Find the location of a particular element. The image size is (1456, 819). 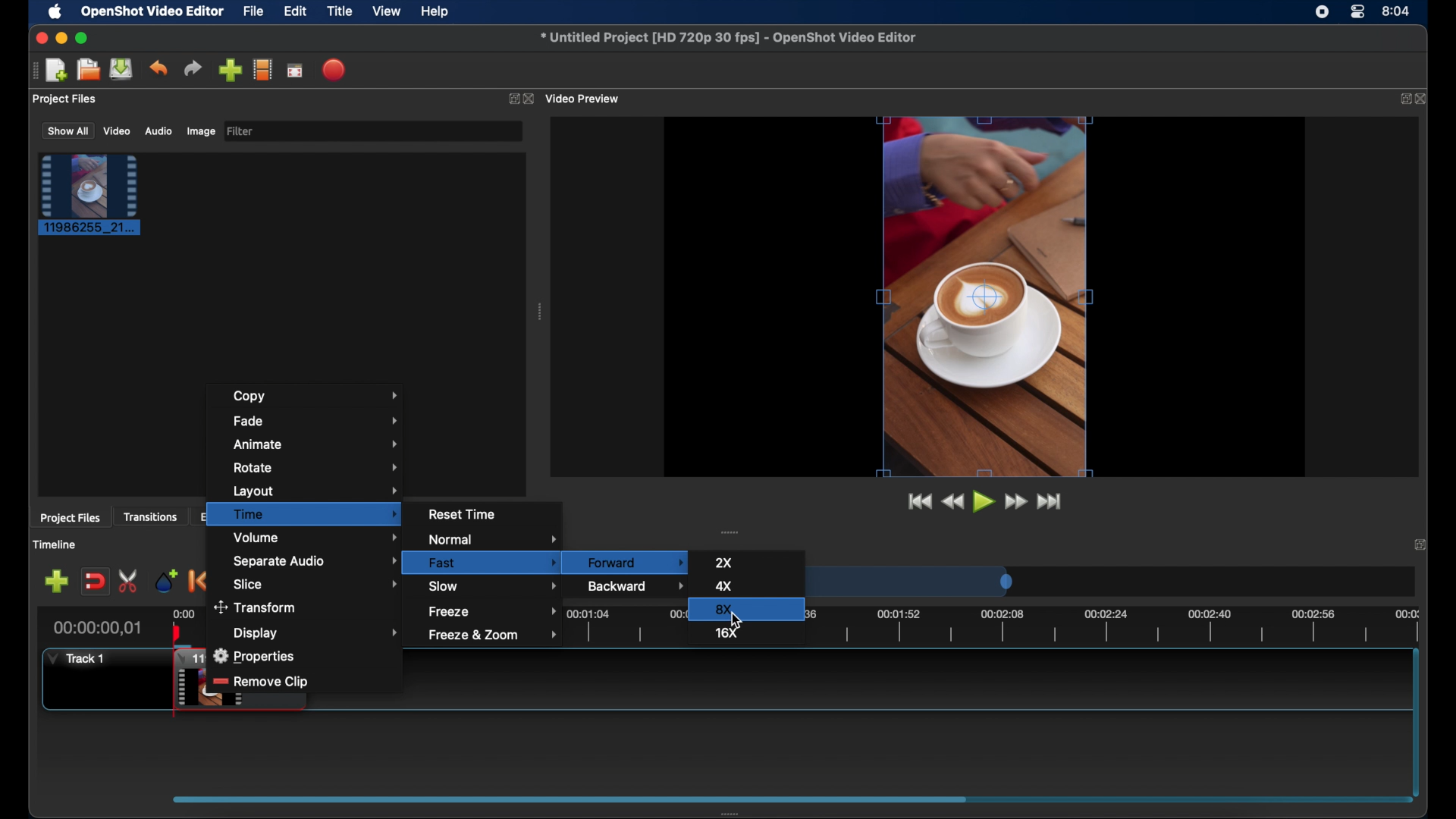

2x is located at coordinates (726, 561).